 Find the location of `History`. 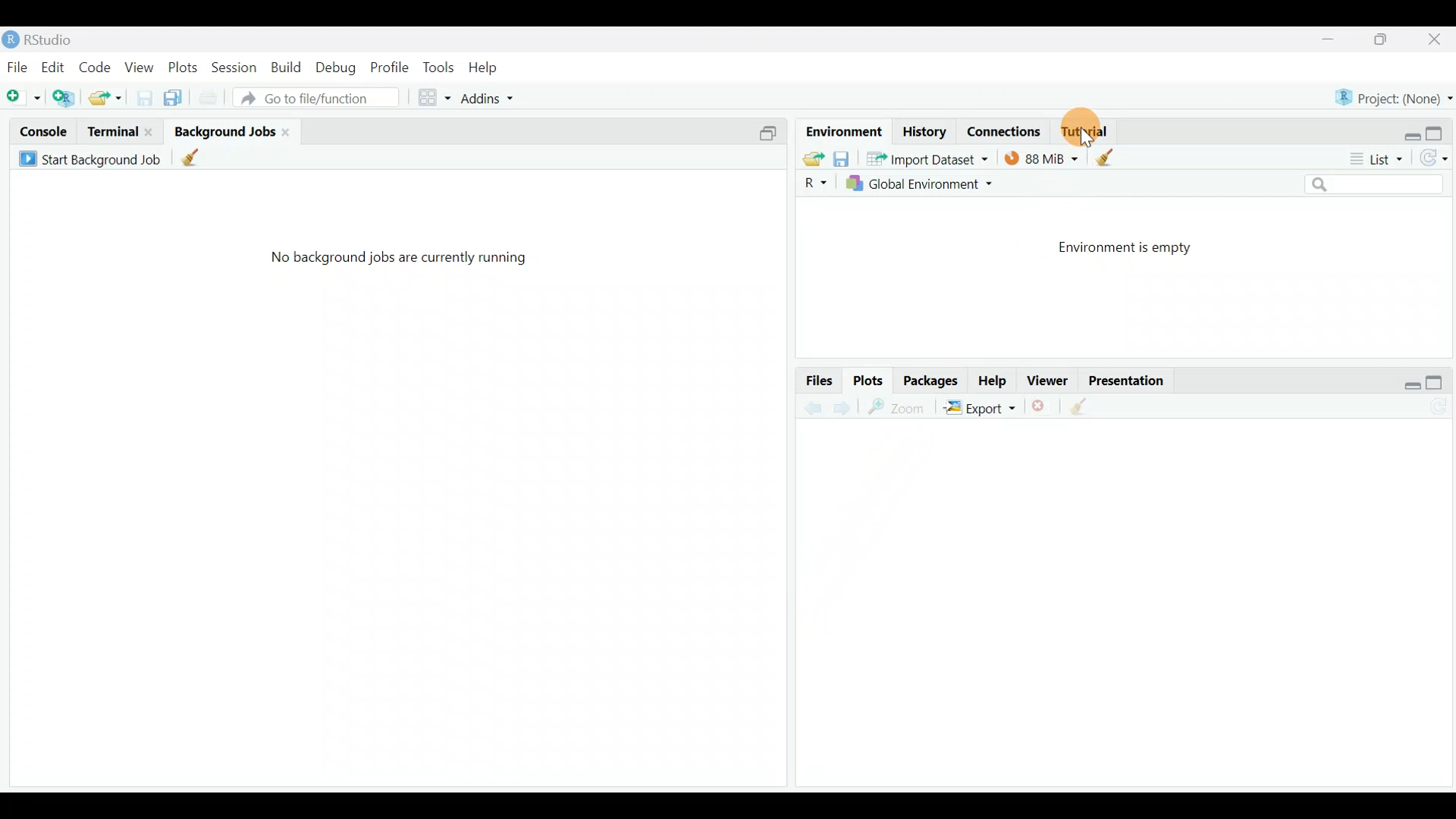

History is located at coordinates (923, 130).